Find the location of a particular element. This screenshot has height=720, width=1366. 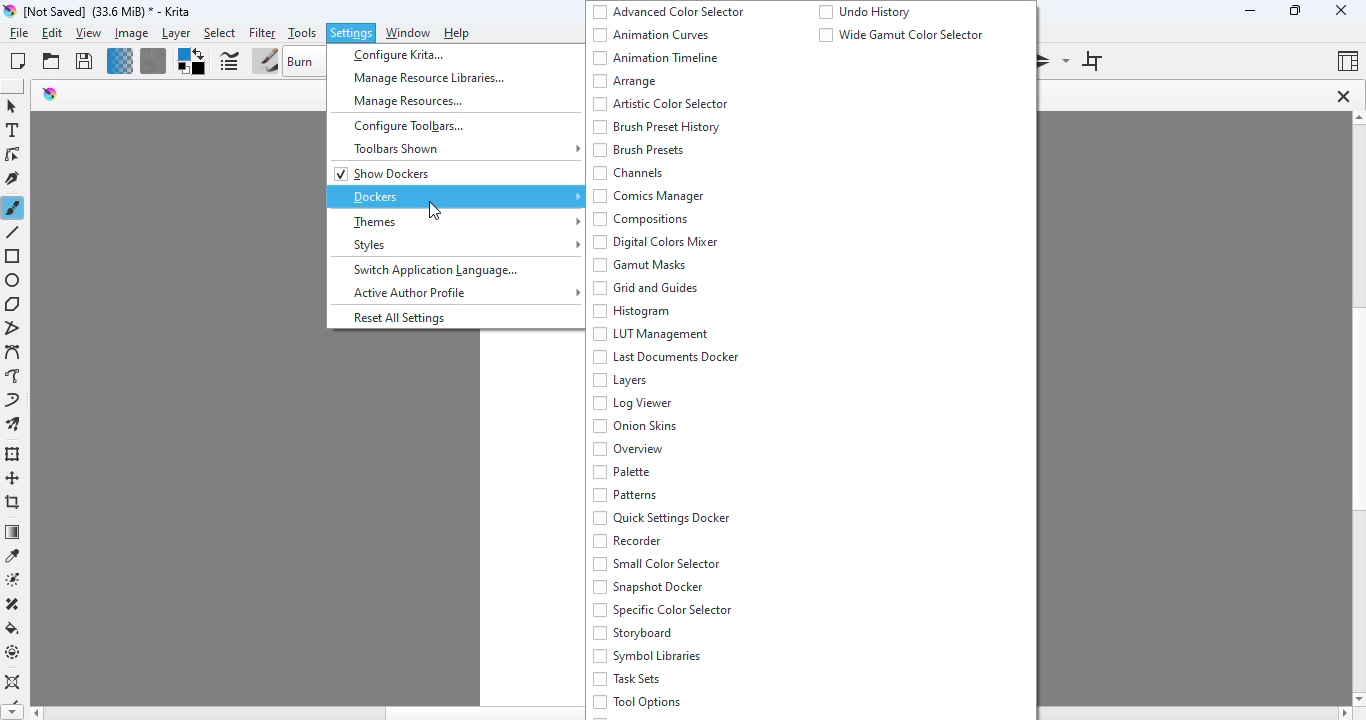

brush preset history is located at coordinates (657, 127).